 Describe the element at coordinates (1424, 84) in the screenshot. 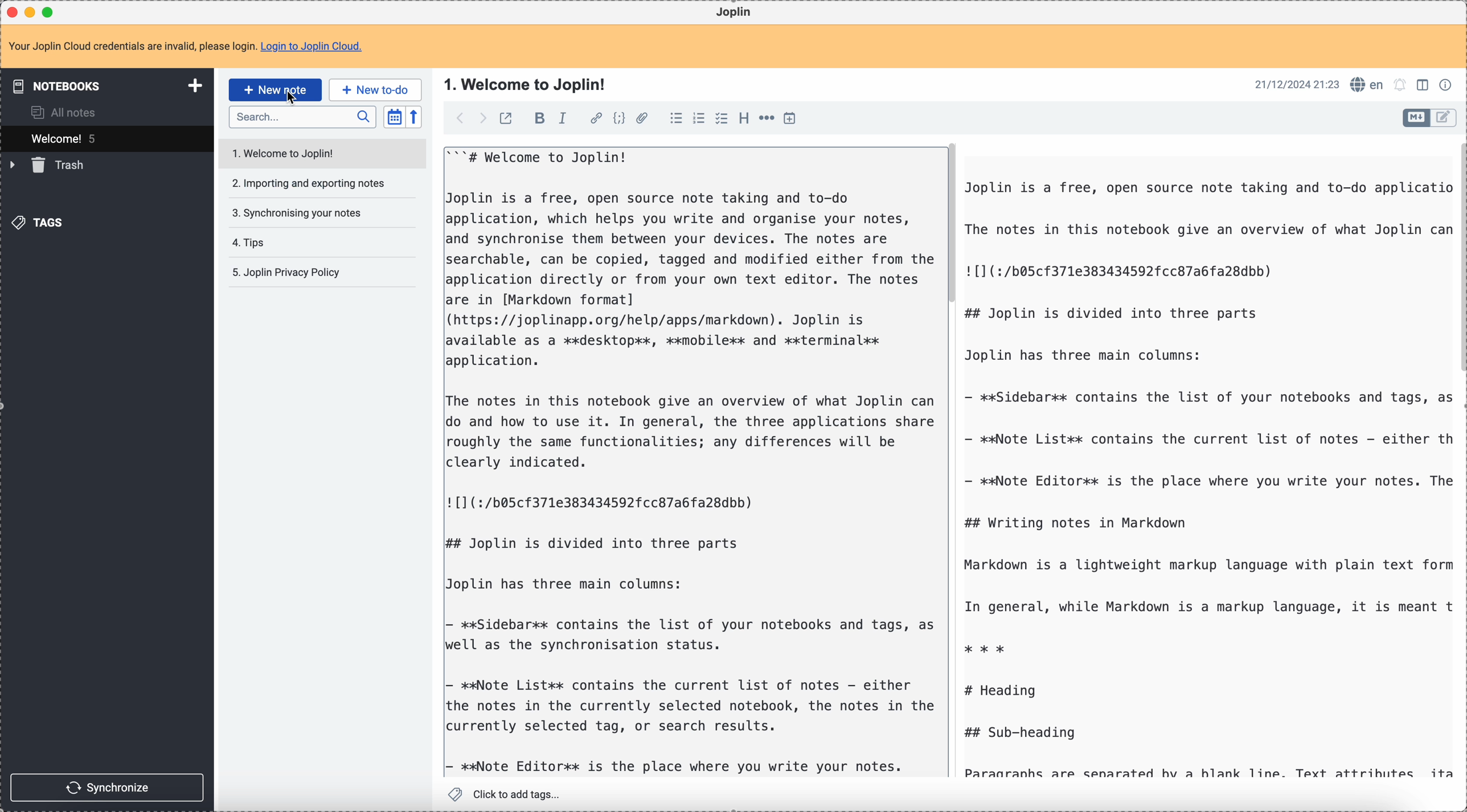

I see `toggle edit layout` at that location.